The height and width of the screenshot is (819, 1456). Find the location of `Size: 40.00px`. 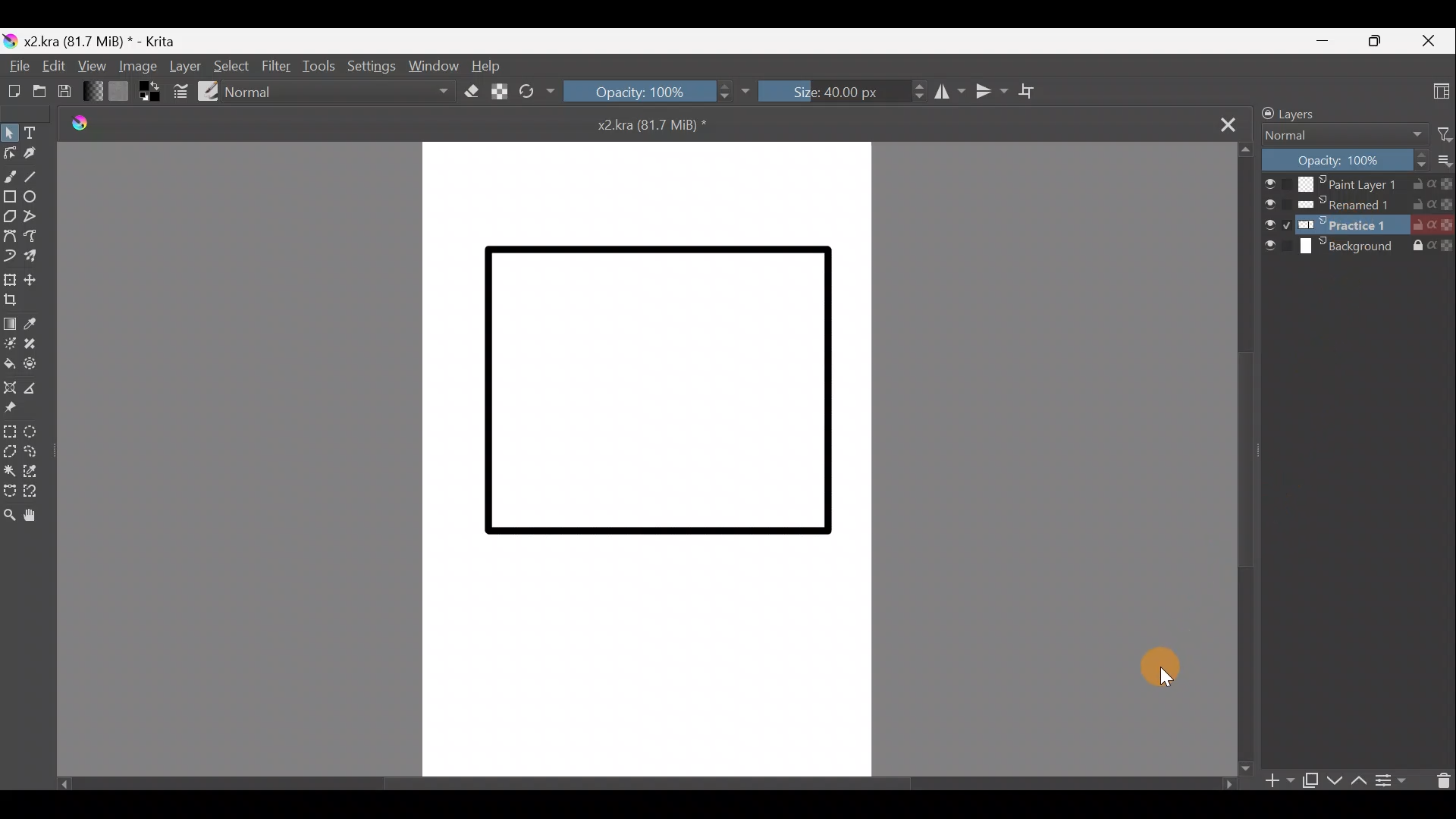

Size: 40.00px is located at coordinates (840, 90).